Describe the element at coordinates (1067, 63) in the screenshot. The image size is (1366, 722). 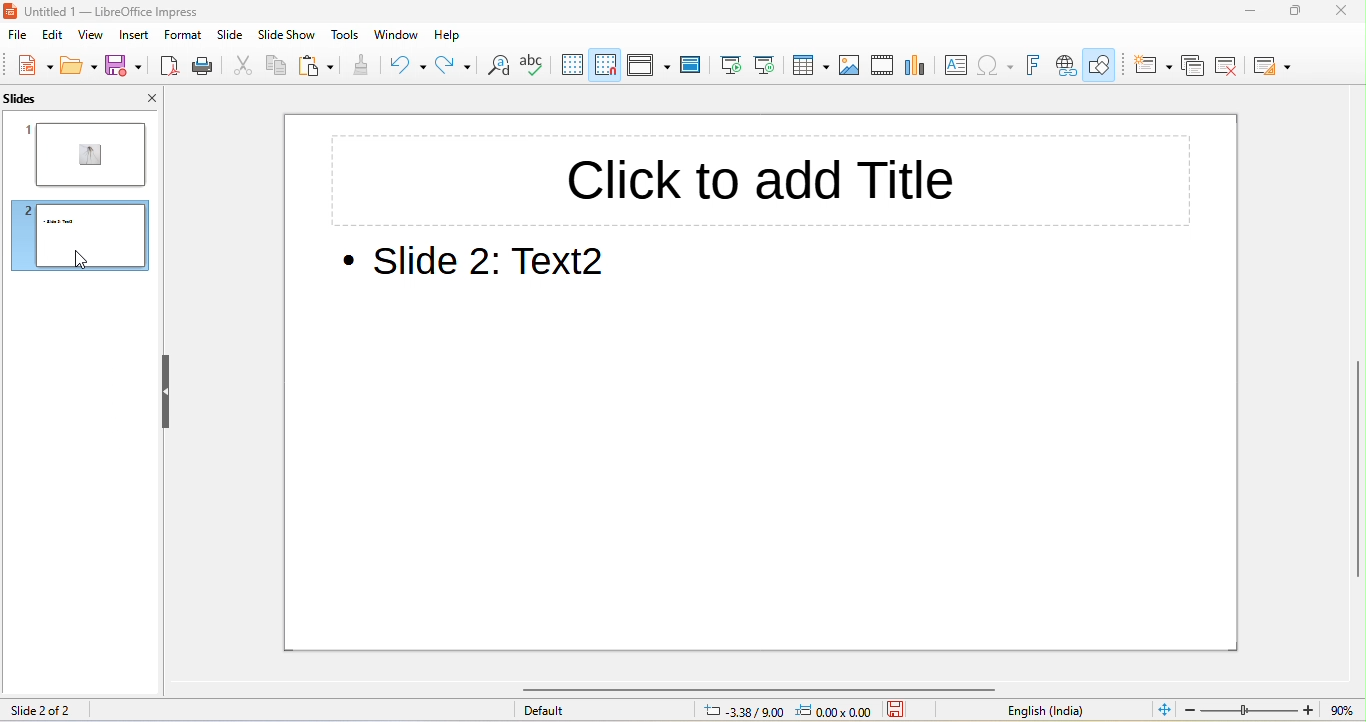
I see `hyperlink` at that location.